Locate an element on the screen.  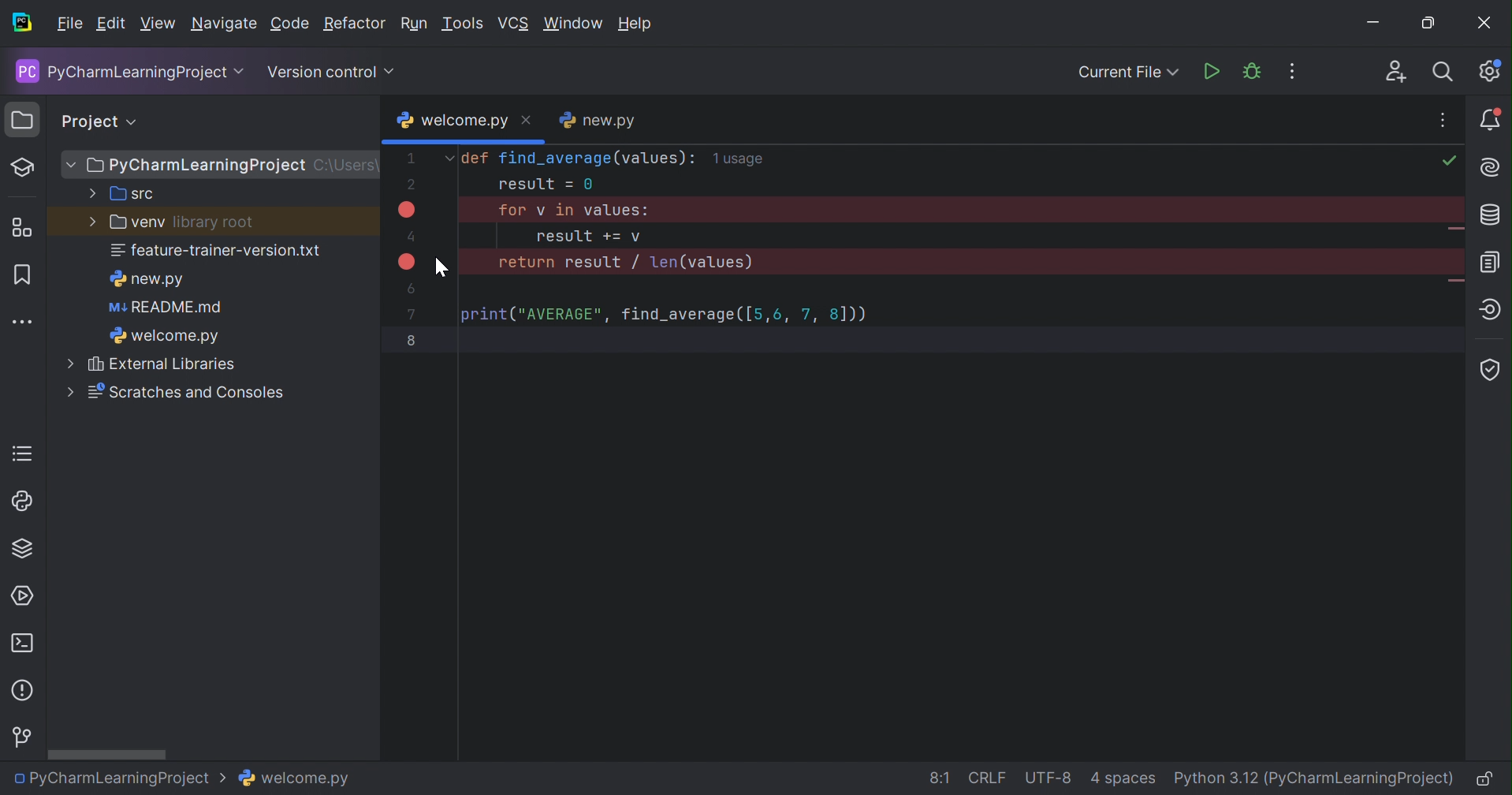
PyCharmLearningProject is located at coordinates (125, 73).